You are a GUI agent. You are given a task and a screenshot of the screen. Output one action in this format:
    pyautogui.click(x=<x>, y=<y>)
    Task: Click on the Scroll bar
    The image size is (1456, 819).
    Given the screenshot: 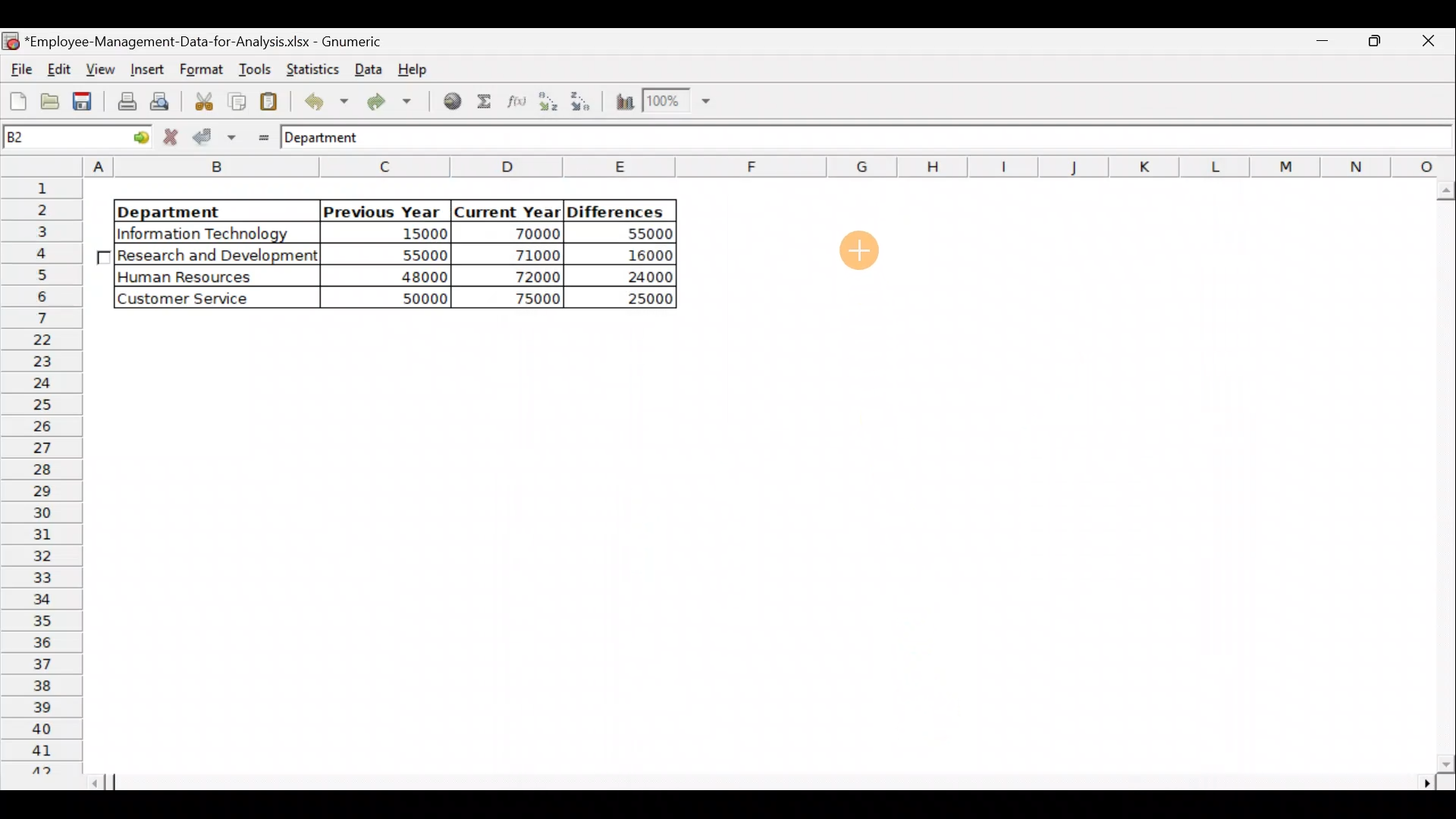 What is the action you would take?
    pyautogui.click(x=773, y=783)
    